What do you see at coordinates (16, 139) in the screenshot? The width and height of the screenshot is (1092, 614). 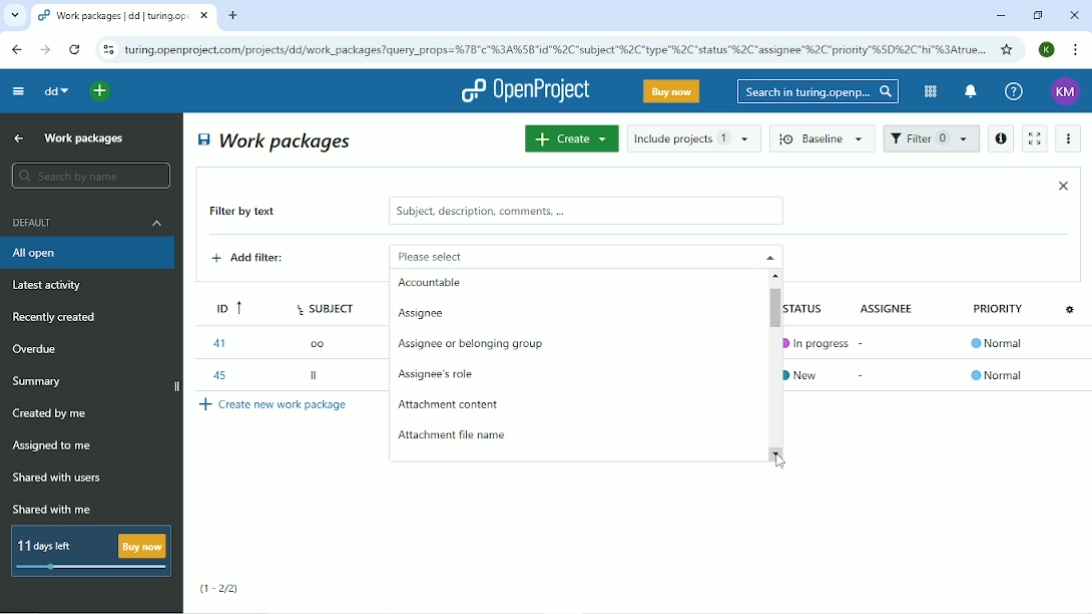 I see `Up` at bounding box center [16, 139].